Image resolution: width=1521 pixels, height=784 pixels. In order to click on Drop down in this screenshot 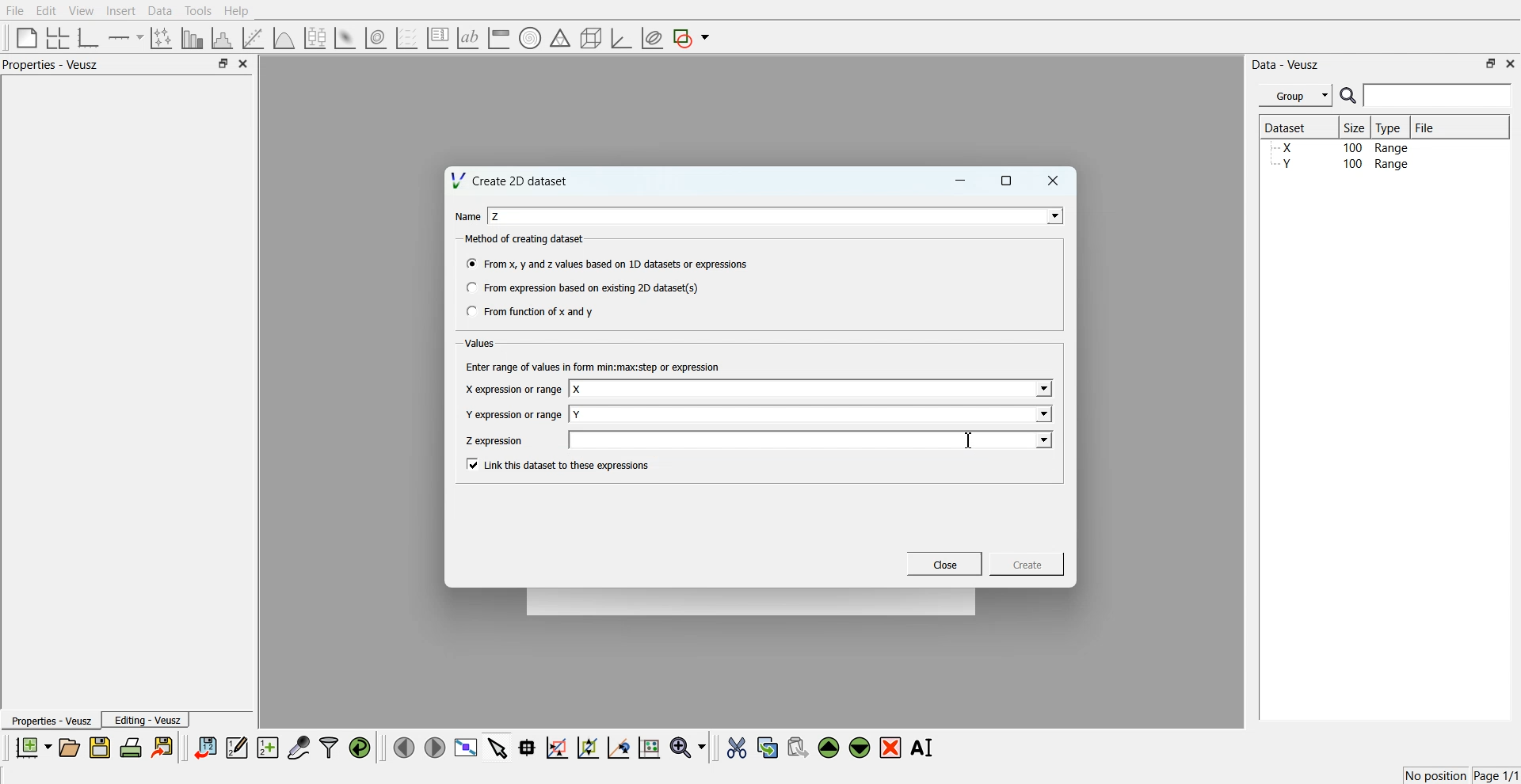, I will do `click(1051, 215)`.